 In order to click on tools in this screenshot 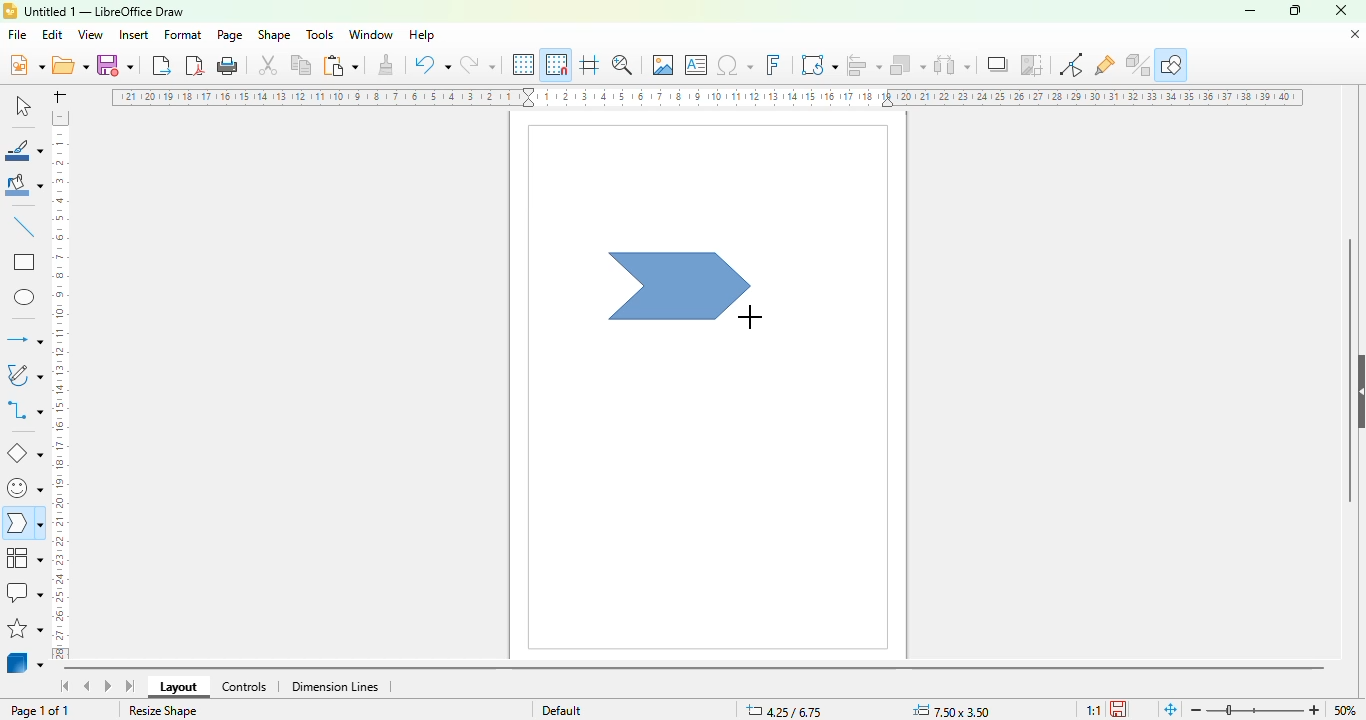, I will do `click(319, 34)`.